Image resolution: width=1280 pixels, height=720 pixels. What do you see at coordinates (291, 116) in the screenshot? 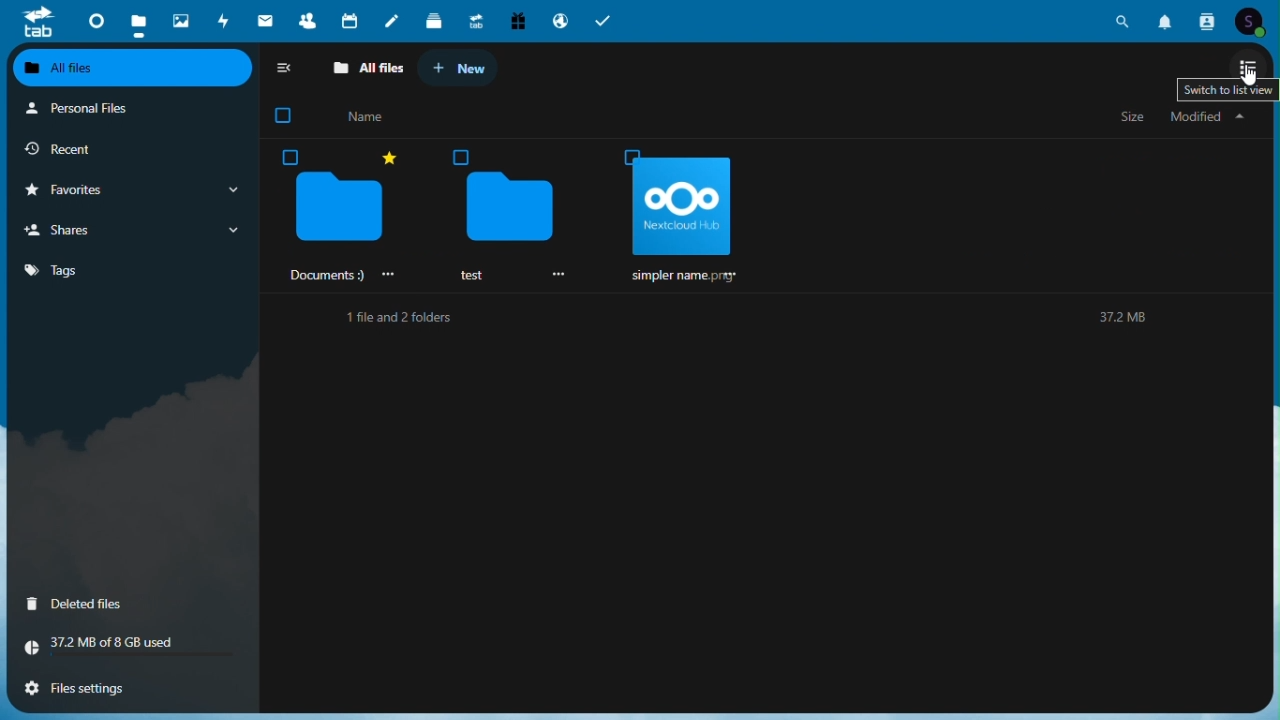
I see `checkbox` at bounding box center [291, 116].